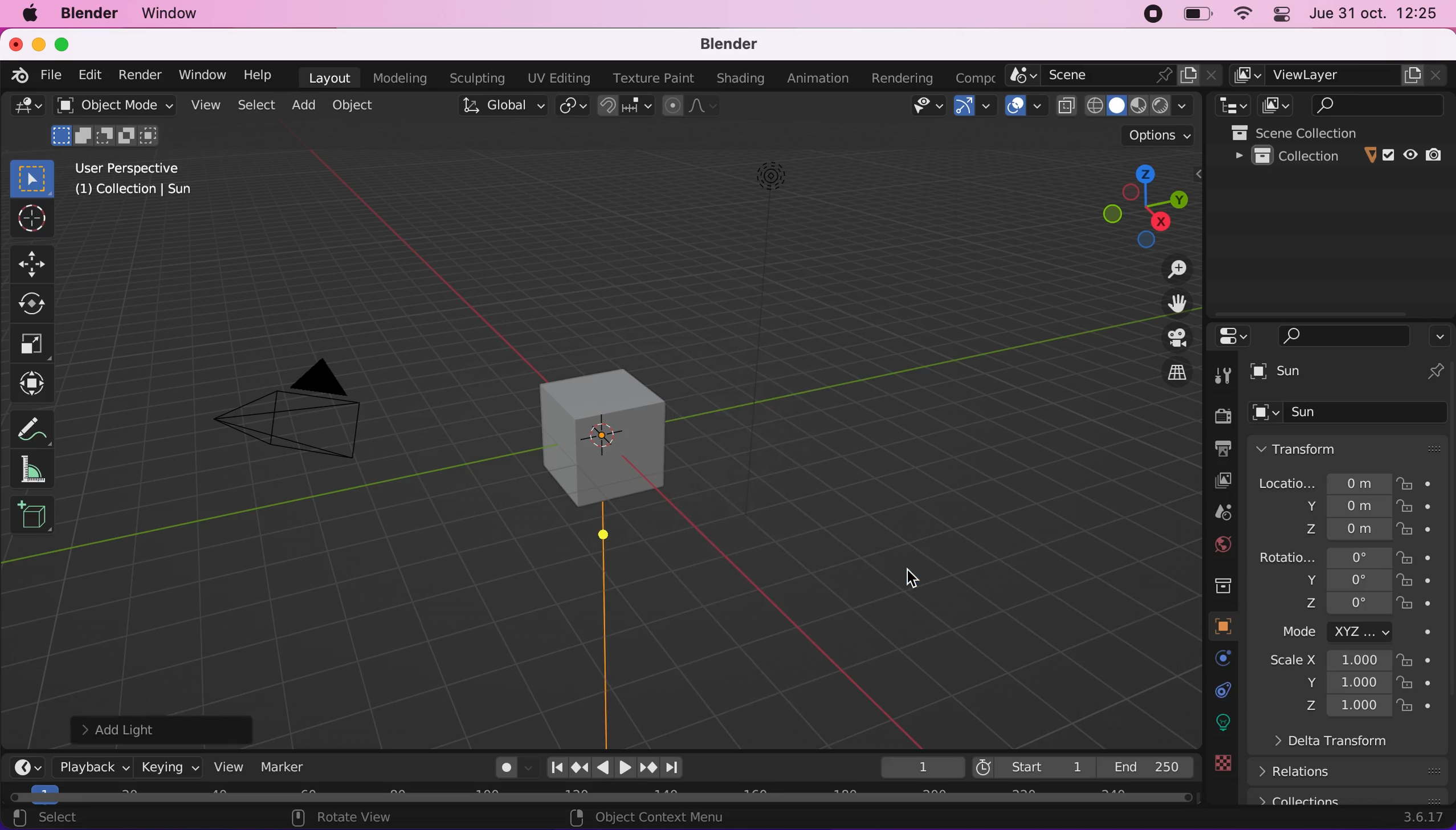 The image size is (1456, 830). I want to click on switch the current view, so click(1164, 374).